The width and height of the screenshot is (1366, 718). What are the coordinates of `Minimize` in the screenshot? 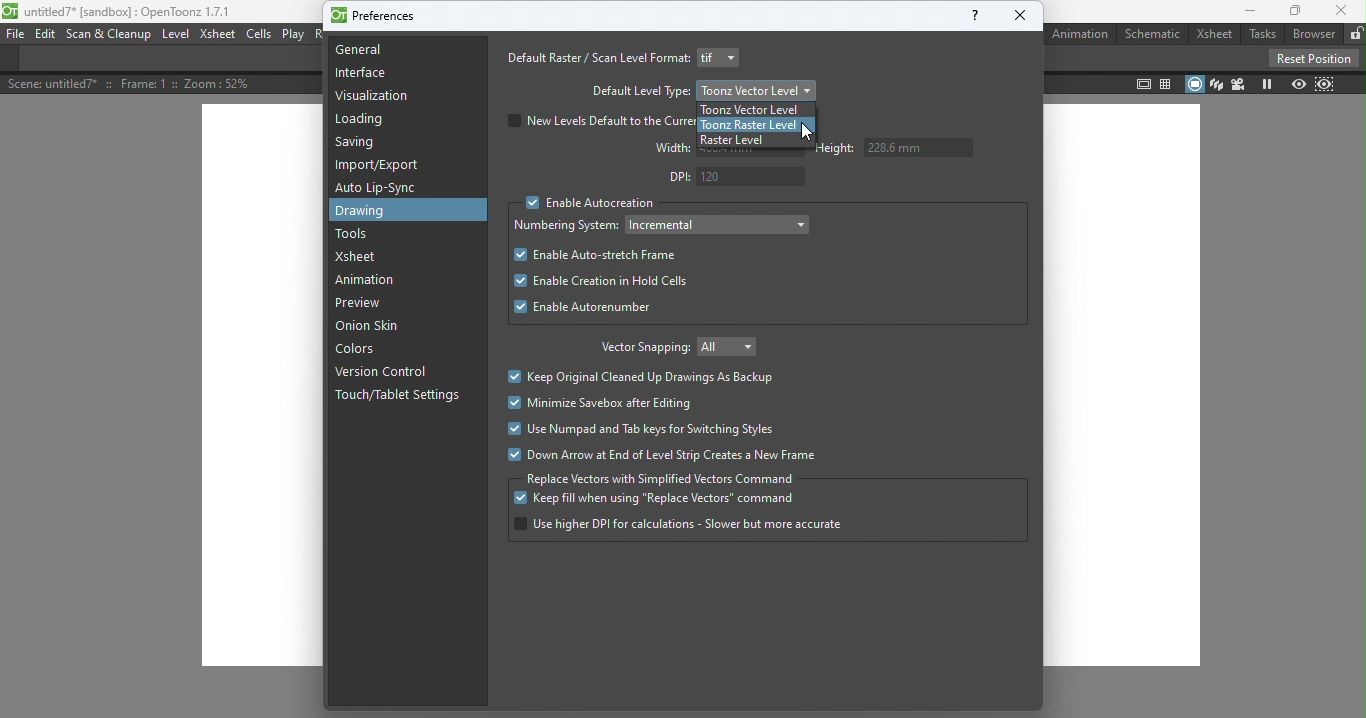 It's located at (1245, 13).